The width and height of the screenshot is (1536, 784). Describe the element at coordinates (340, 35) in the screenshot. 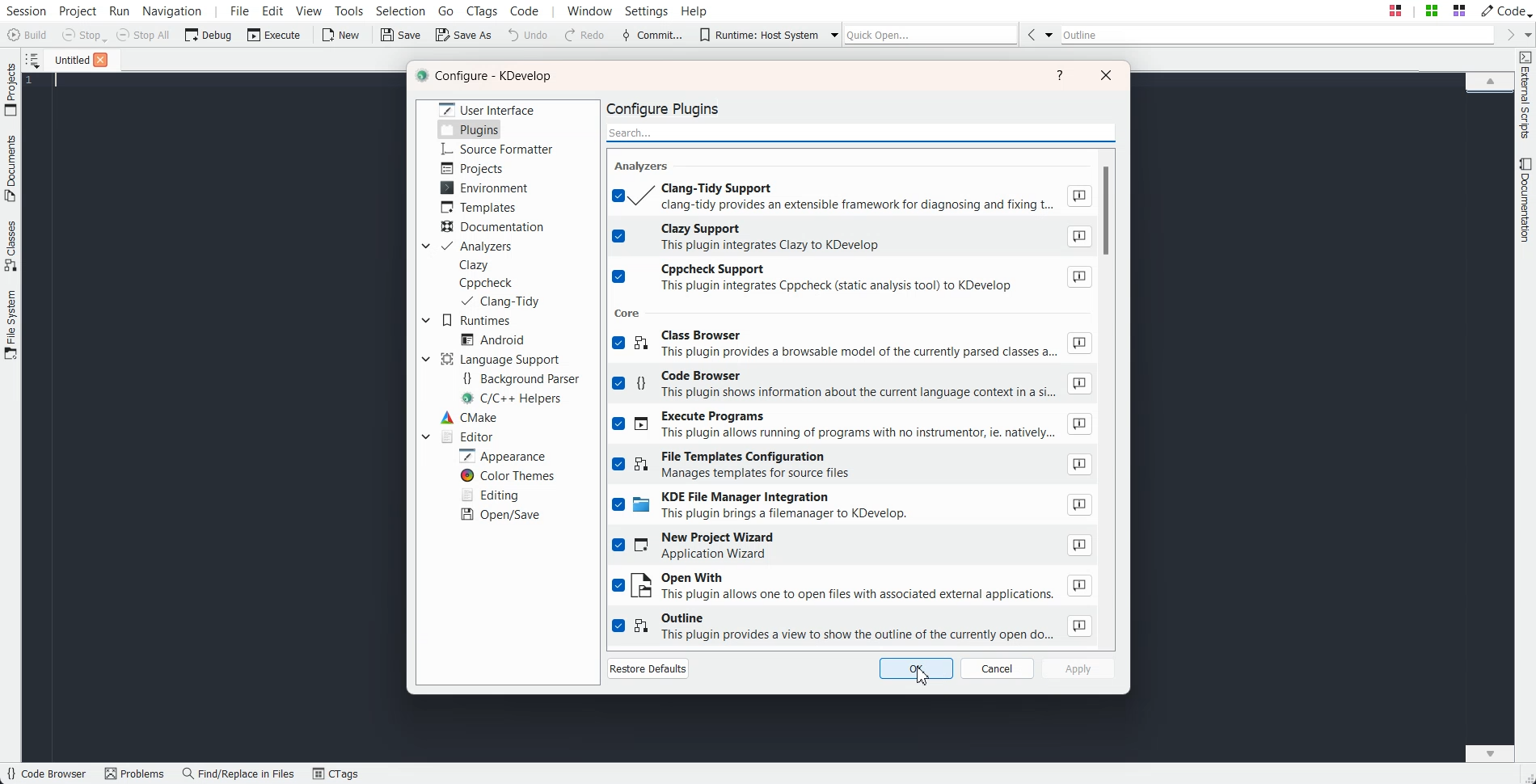

I see `New` at that location.